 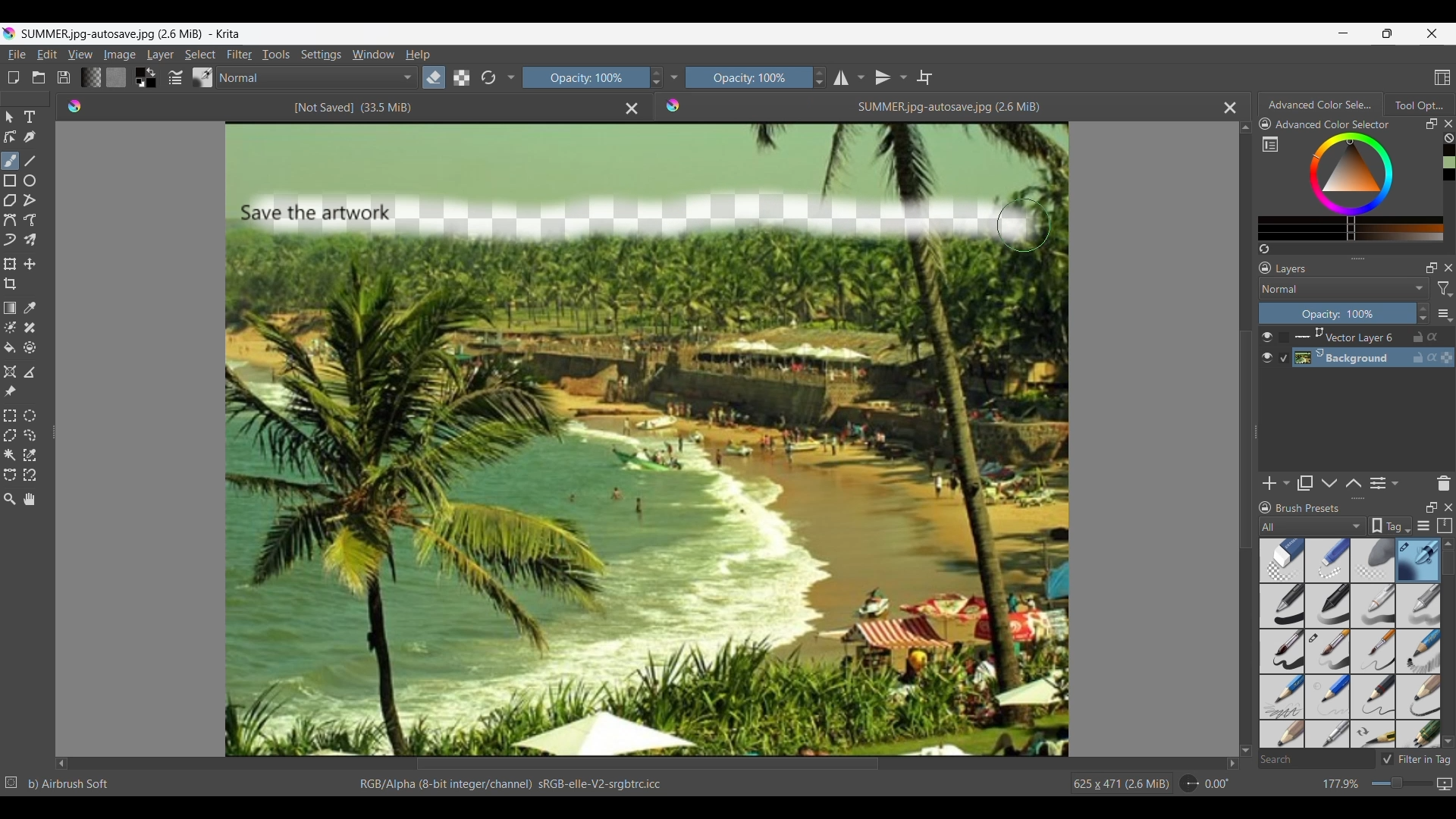 What do you see at coordinates (77, 106) in the screenshot?
I see `Logo` at bounding box center [77, 106].